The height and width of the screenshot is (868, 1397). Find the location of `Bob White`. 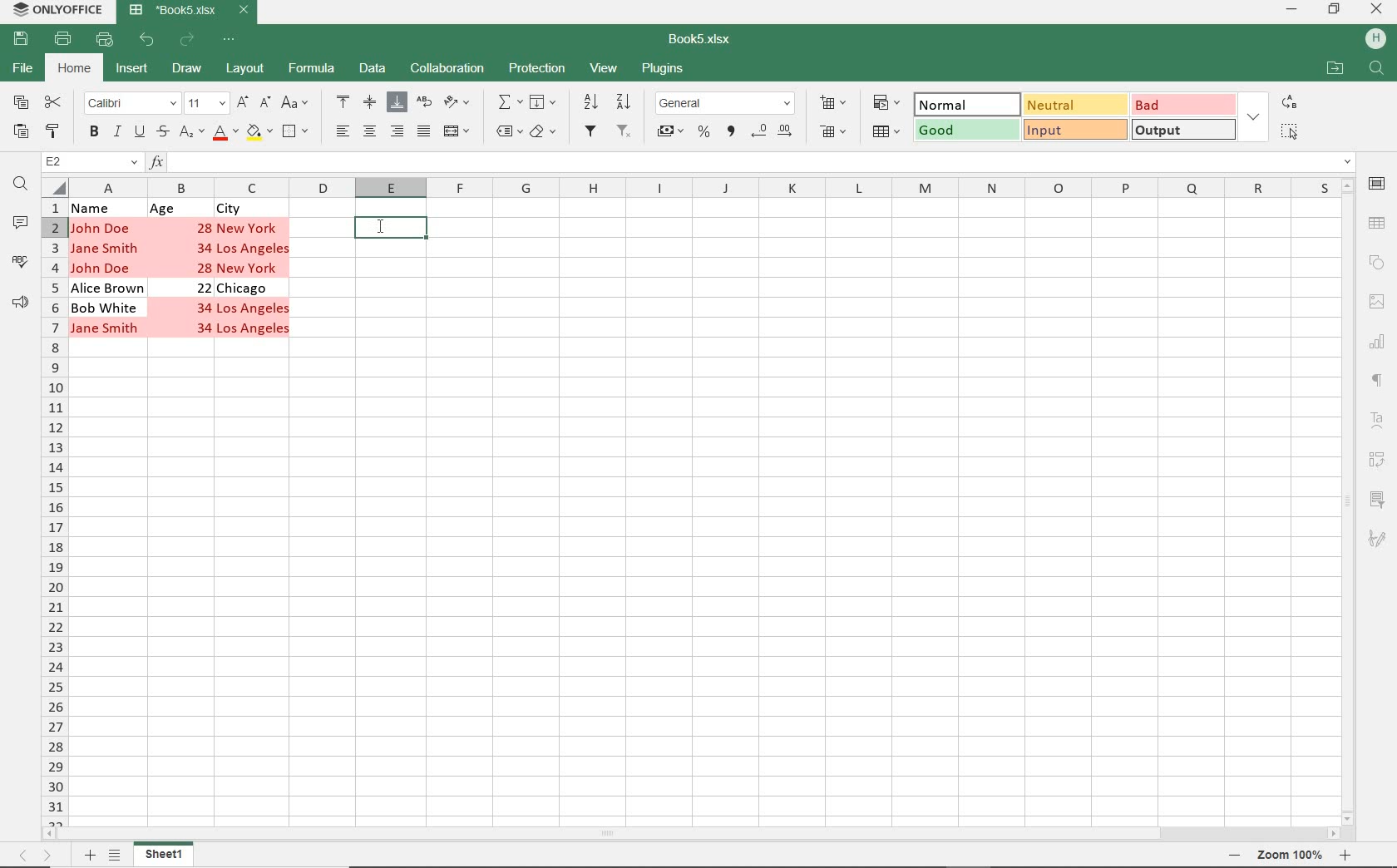

Bob White is located at coordinates (106, 308).